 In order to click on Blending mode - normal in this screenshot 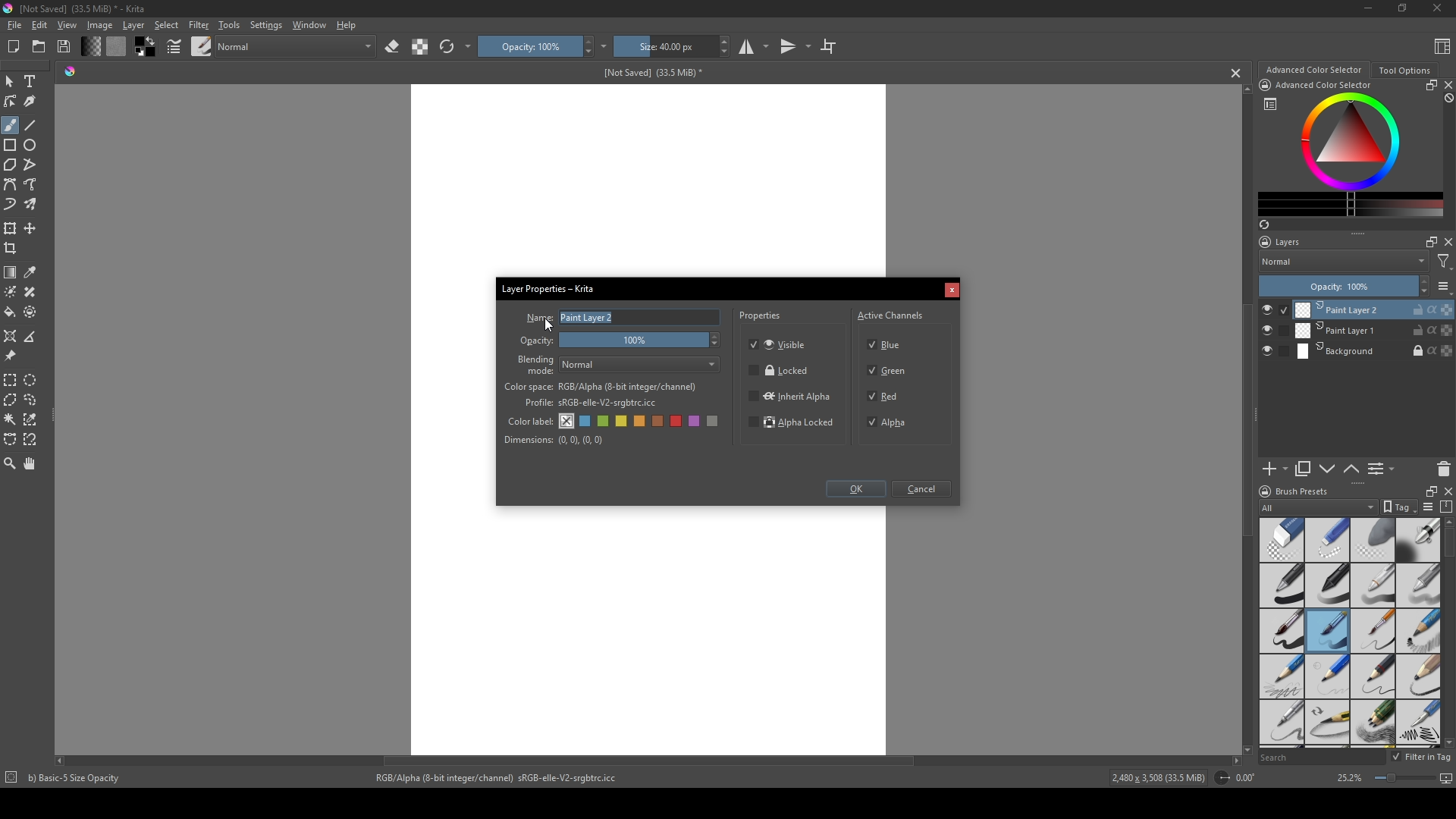, I will do `click(536, 364)`.